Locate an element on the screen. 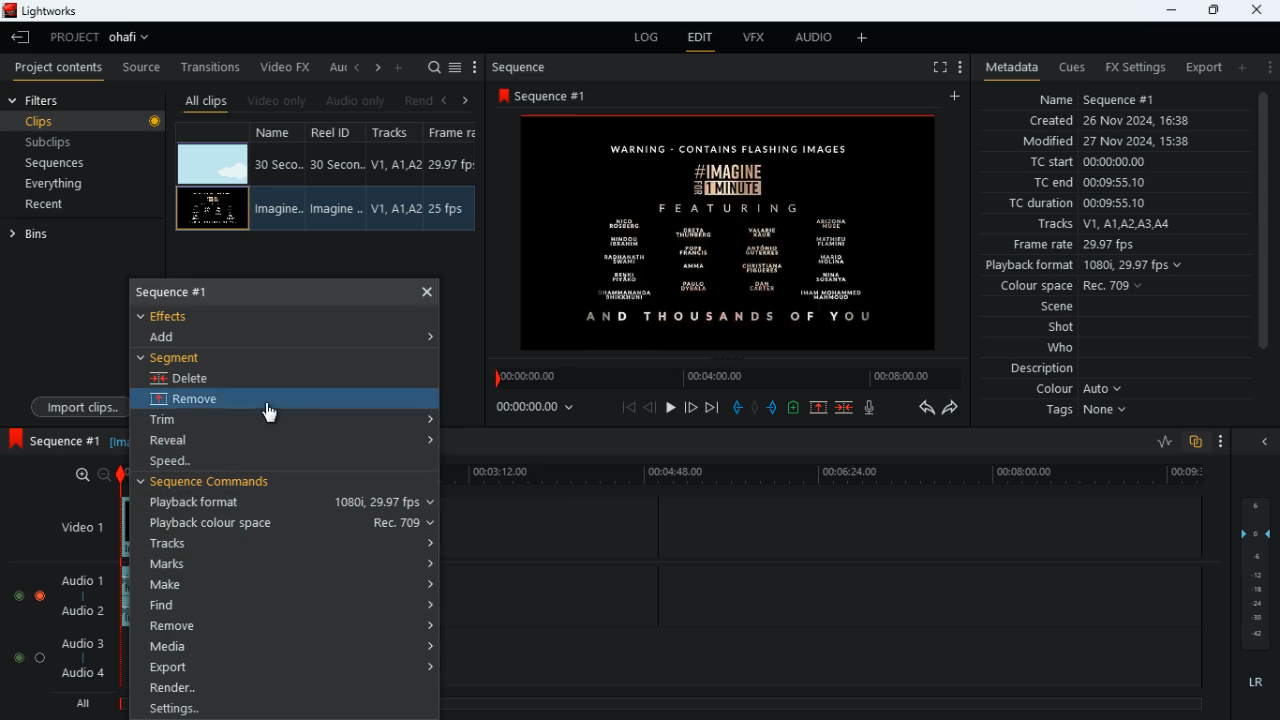 The image size is (1280, 720). modified is located at coordinates (1113, 141).